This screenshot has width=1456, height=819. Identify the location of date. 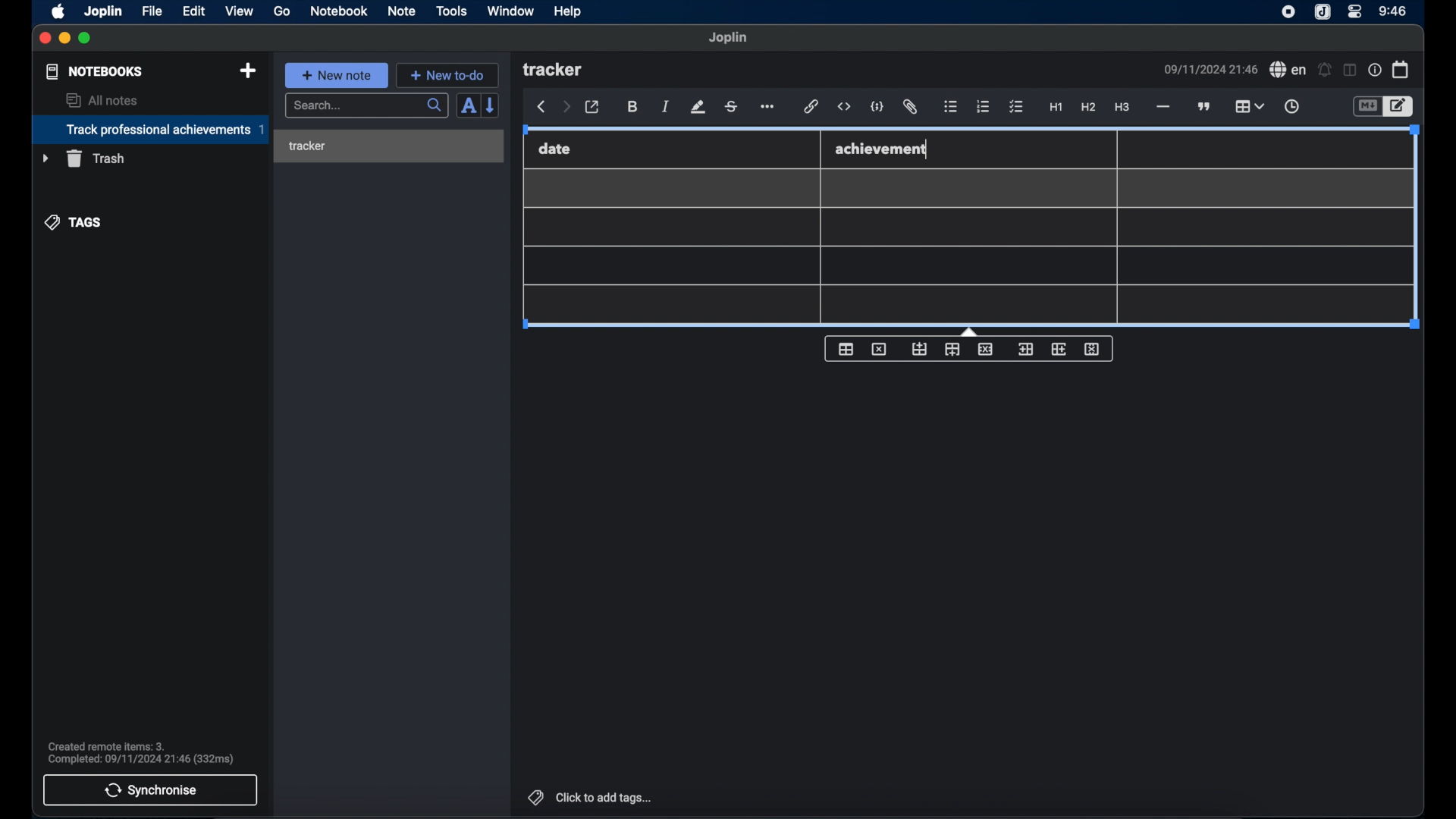
(555, 149).